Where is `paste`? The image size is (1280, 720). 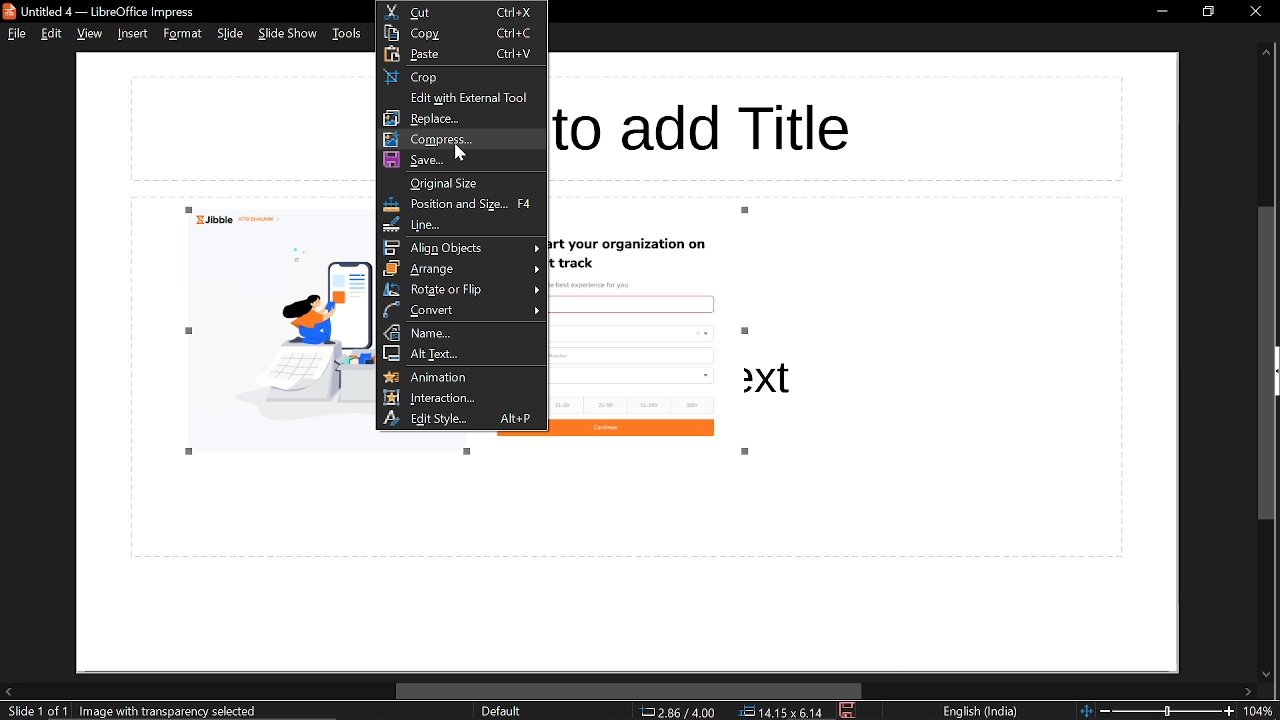
paste is located at coordinates (462, 55).